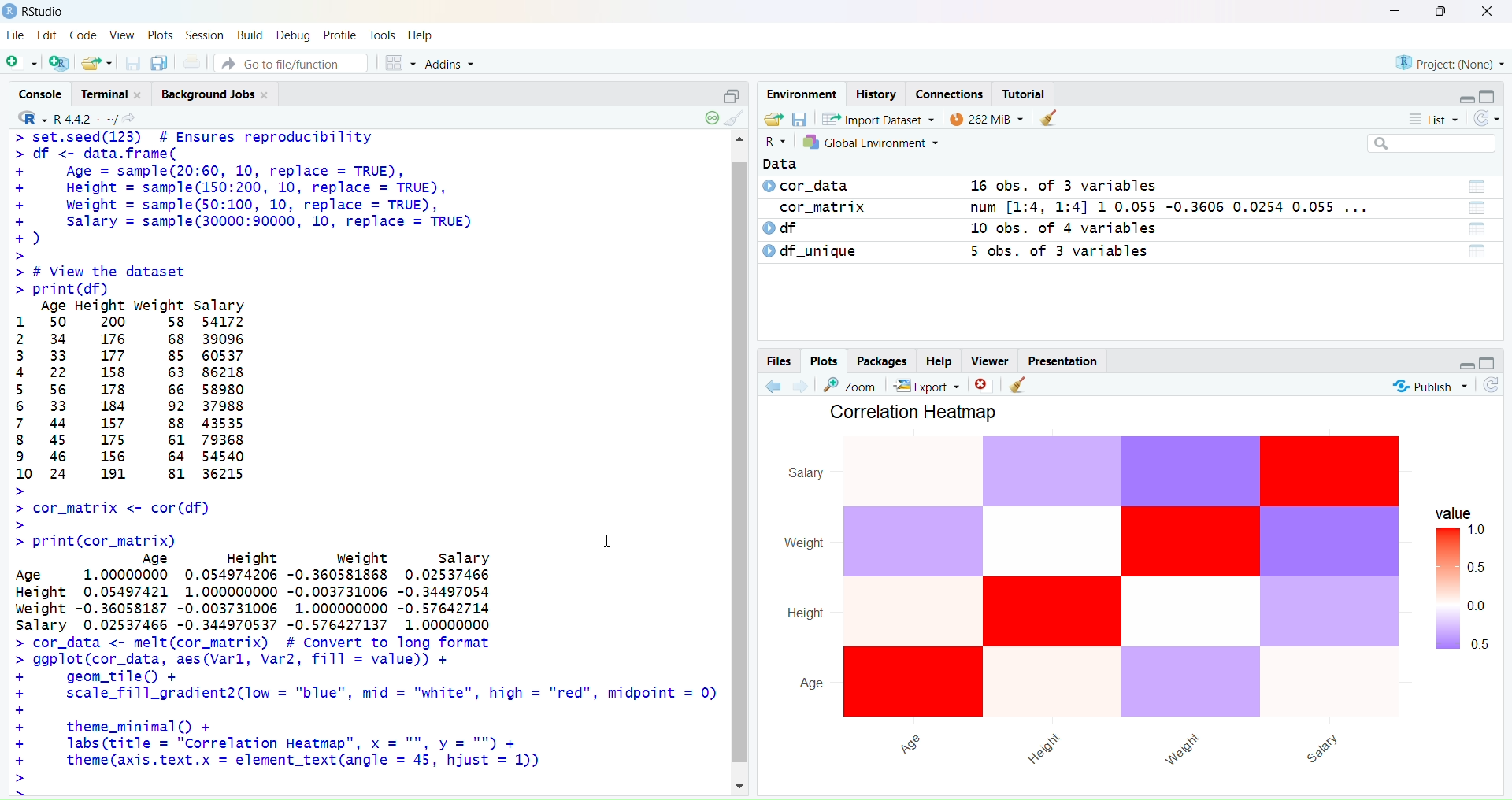 The height and width of the screenshot is (800, 1512). What do you see at coordinates (1487, 361) in the screenshot?
I see `Maximize` at bounding box center [1487, 361].